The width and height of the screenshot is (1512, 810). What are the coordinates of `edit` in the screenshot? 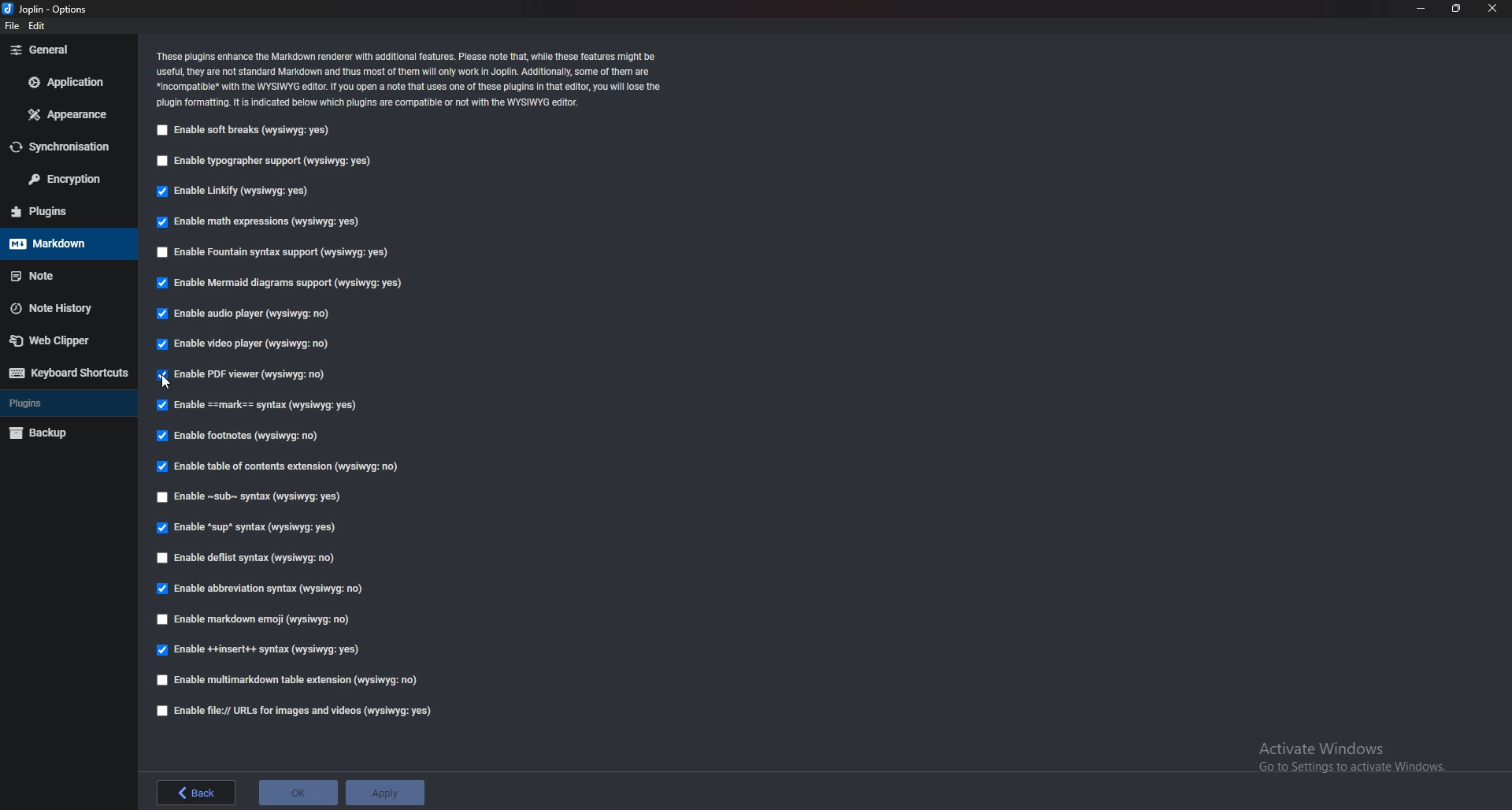 It's located at (39, 25).